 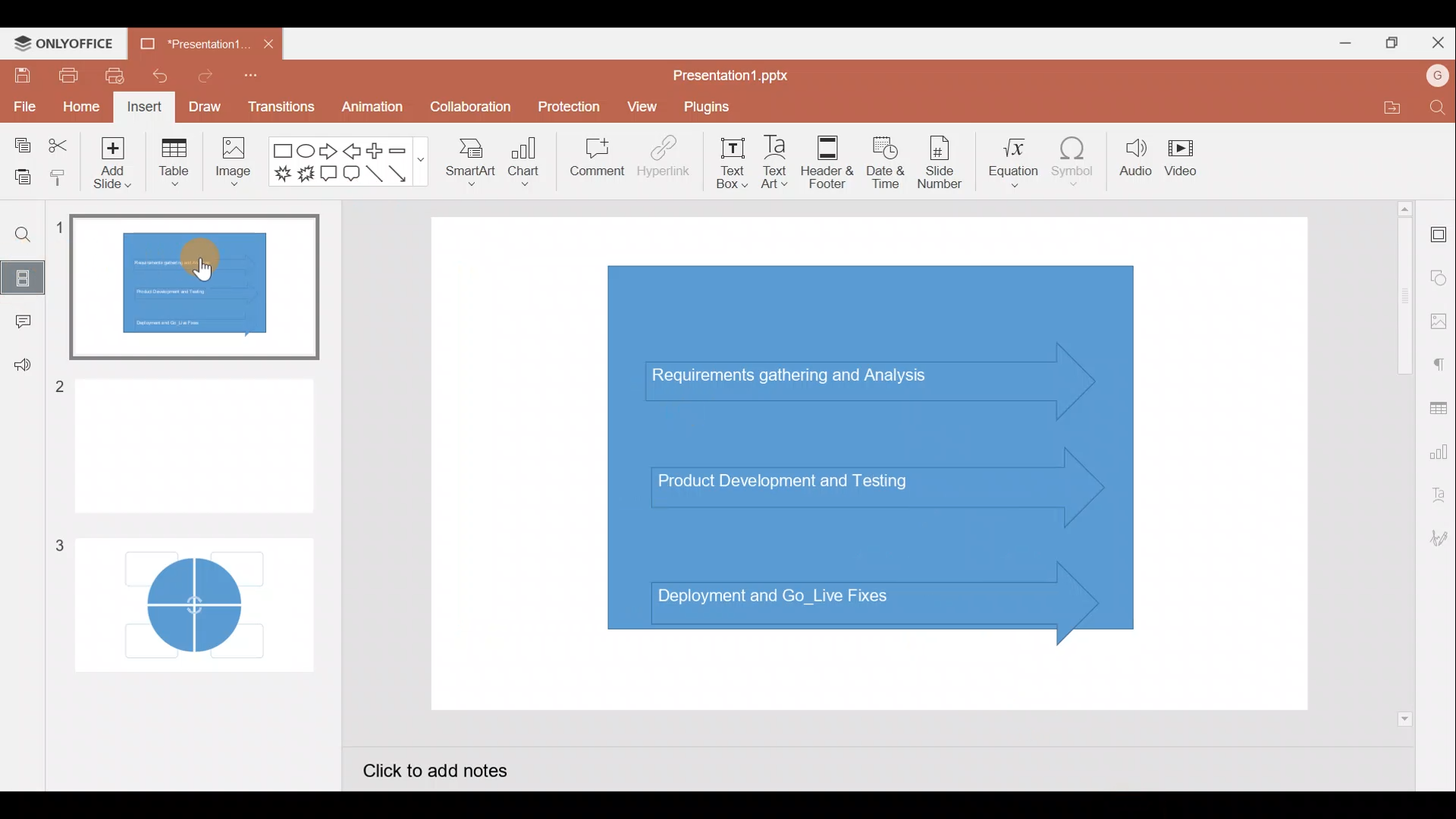 What do you see at coordinates (1441, 454) in the screenshot?
I see `Chart settings` at bounding box center [1441, 454].